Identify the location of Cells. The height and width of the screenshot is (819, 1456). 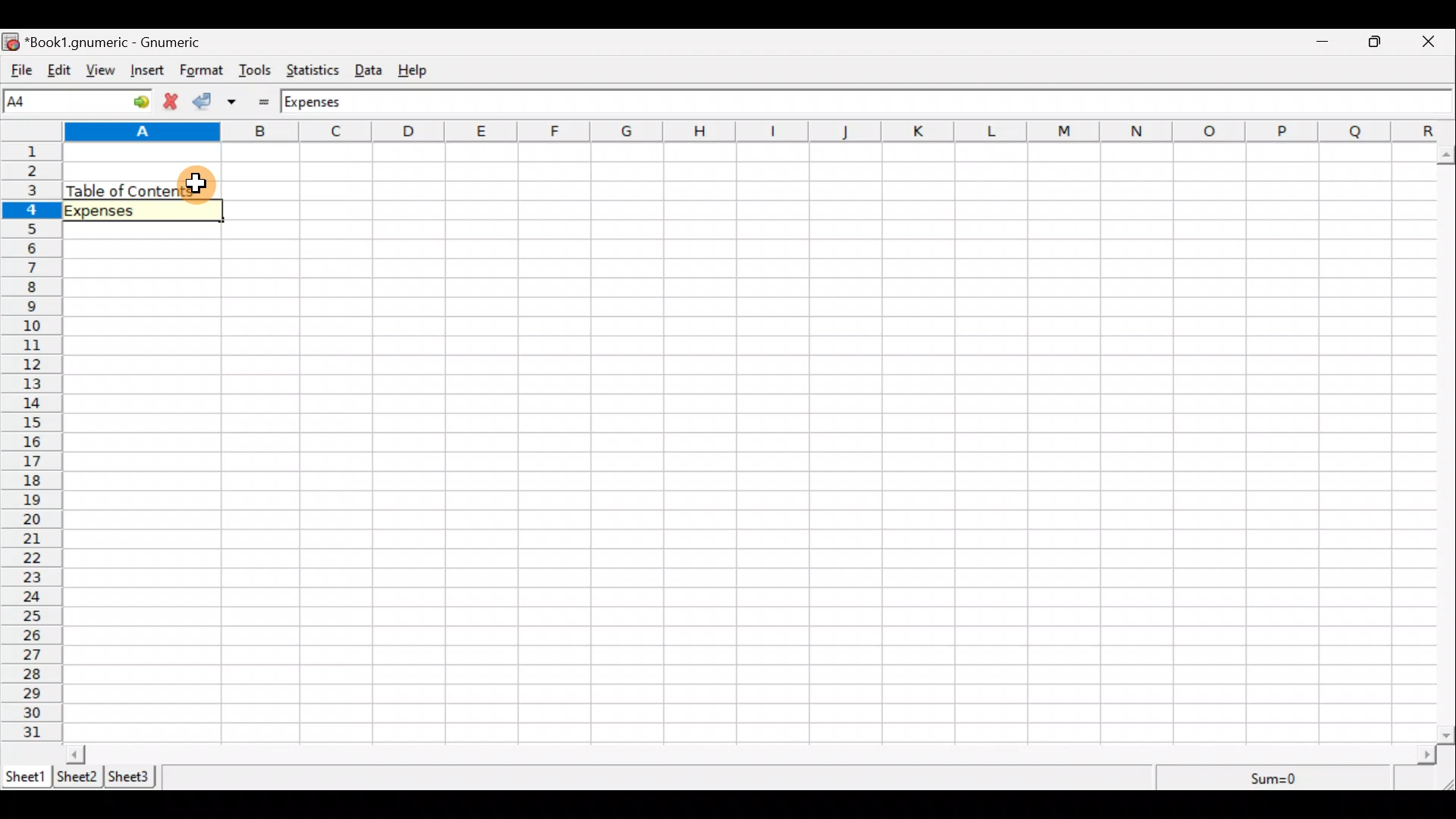
(751, 444).